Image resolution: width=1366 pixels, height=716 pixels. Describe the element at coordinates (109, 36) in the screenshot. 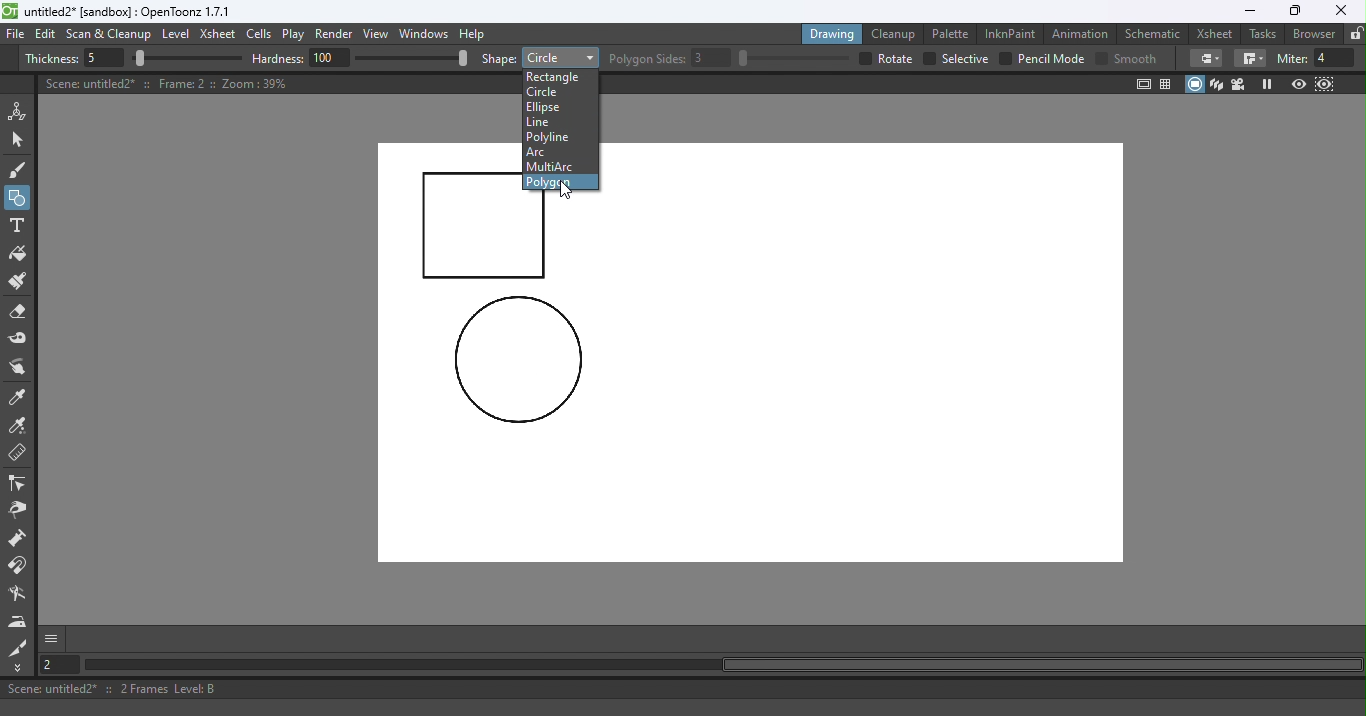

I see `Scan & Cleanup` at that location.